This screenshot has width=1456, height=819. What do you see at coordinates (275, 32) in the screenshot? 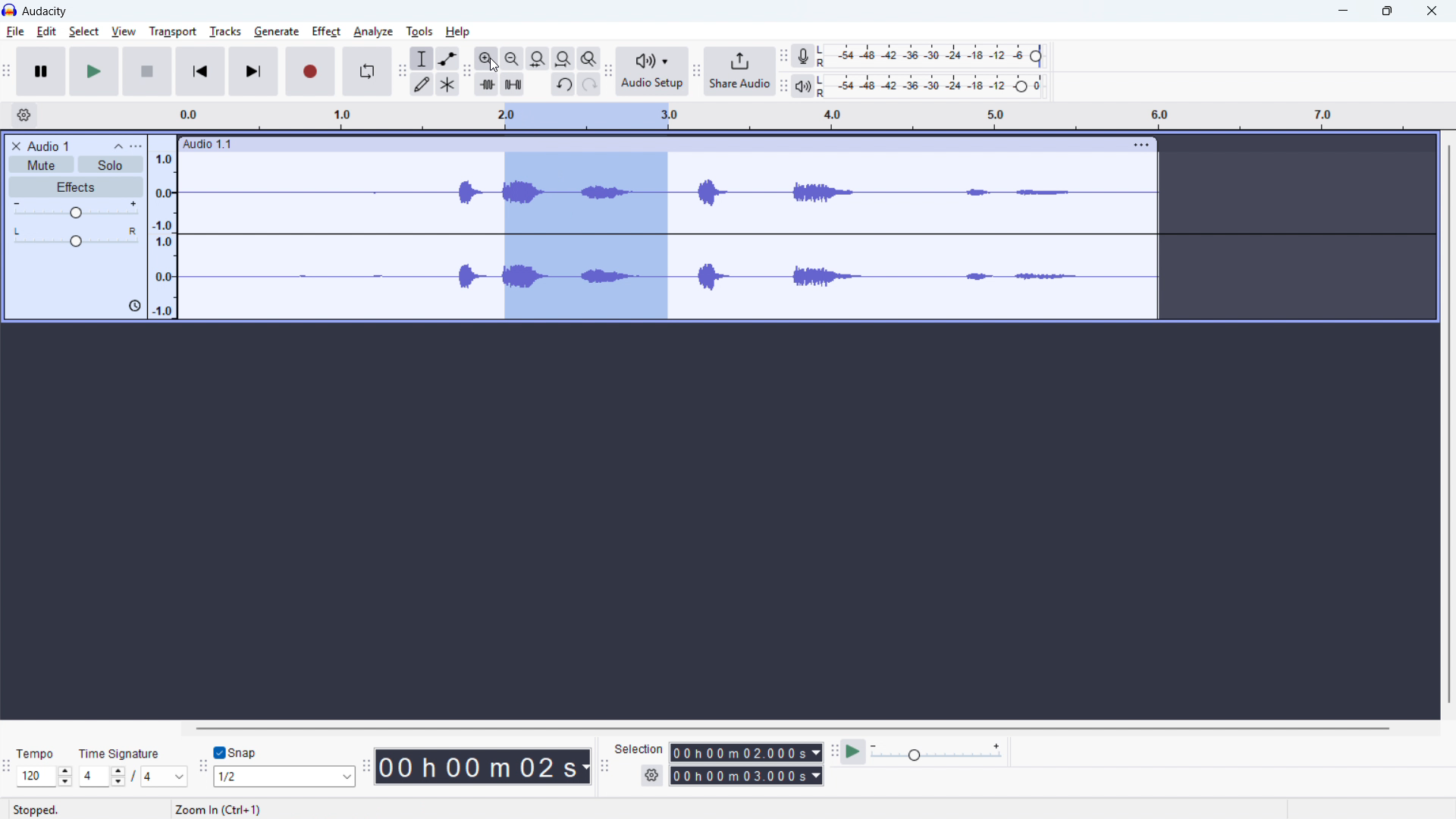
I see `Generate` at bounding box center [275, 32].